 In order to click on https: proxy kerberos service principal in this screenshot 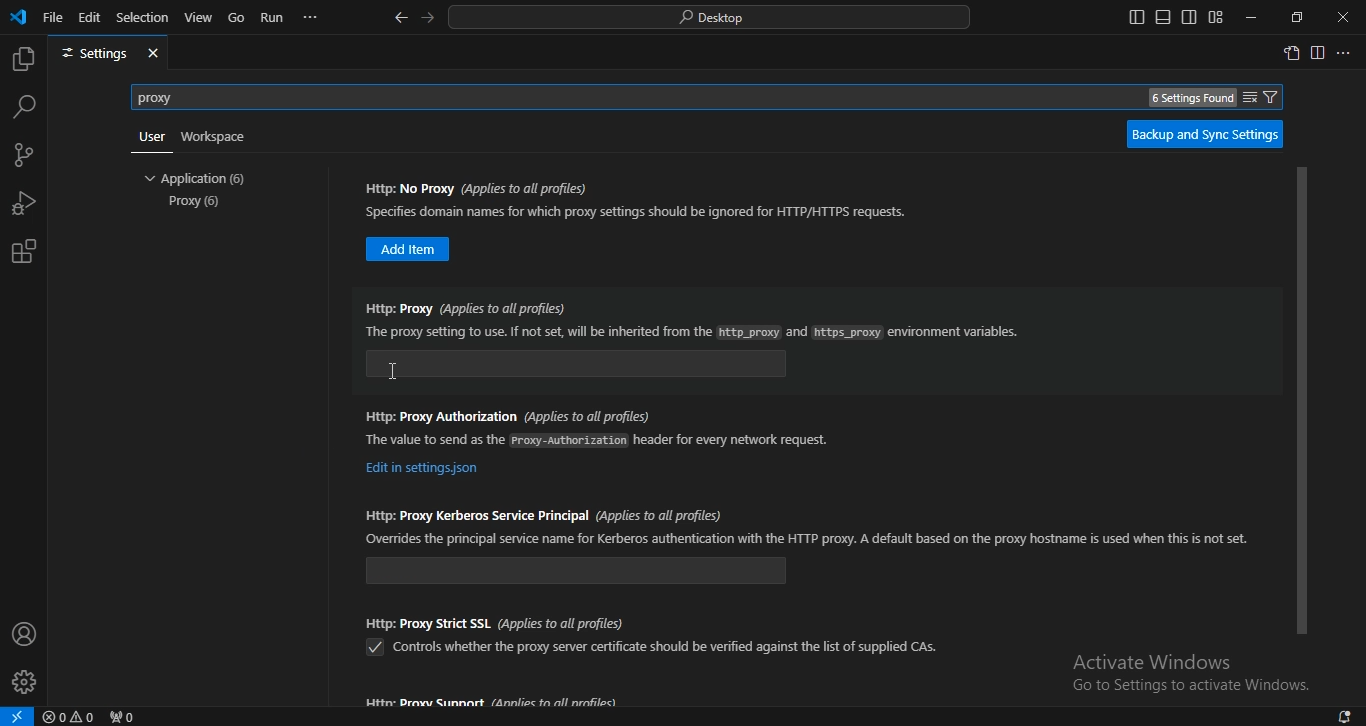, I will do `click(543, 512)`.